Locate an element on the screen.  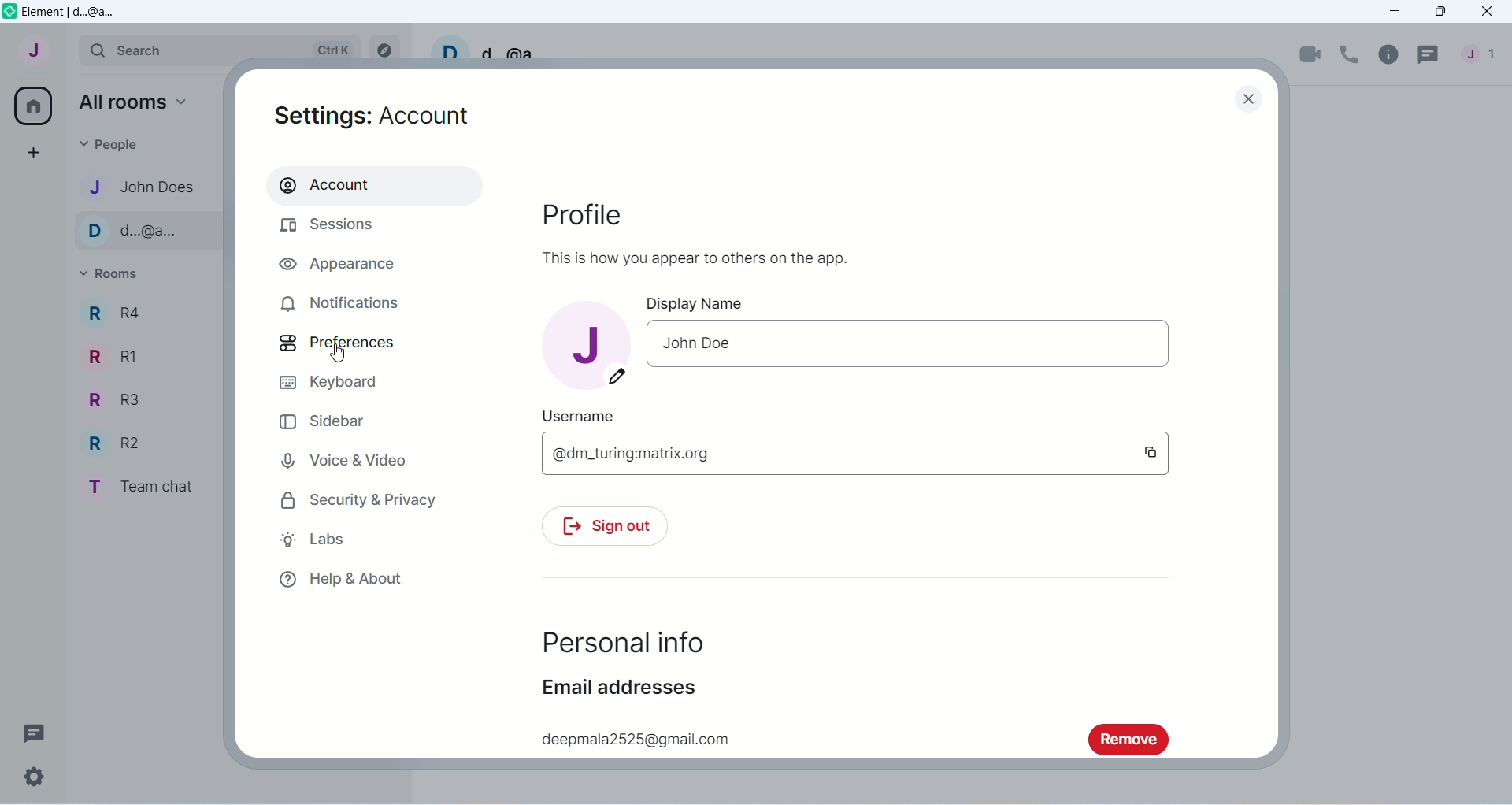
Text input- John Doe is located at coordinates (920, 344).